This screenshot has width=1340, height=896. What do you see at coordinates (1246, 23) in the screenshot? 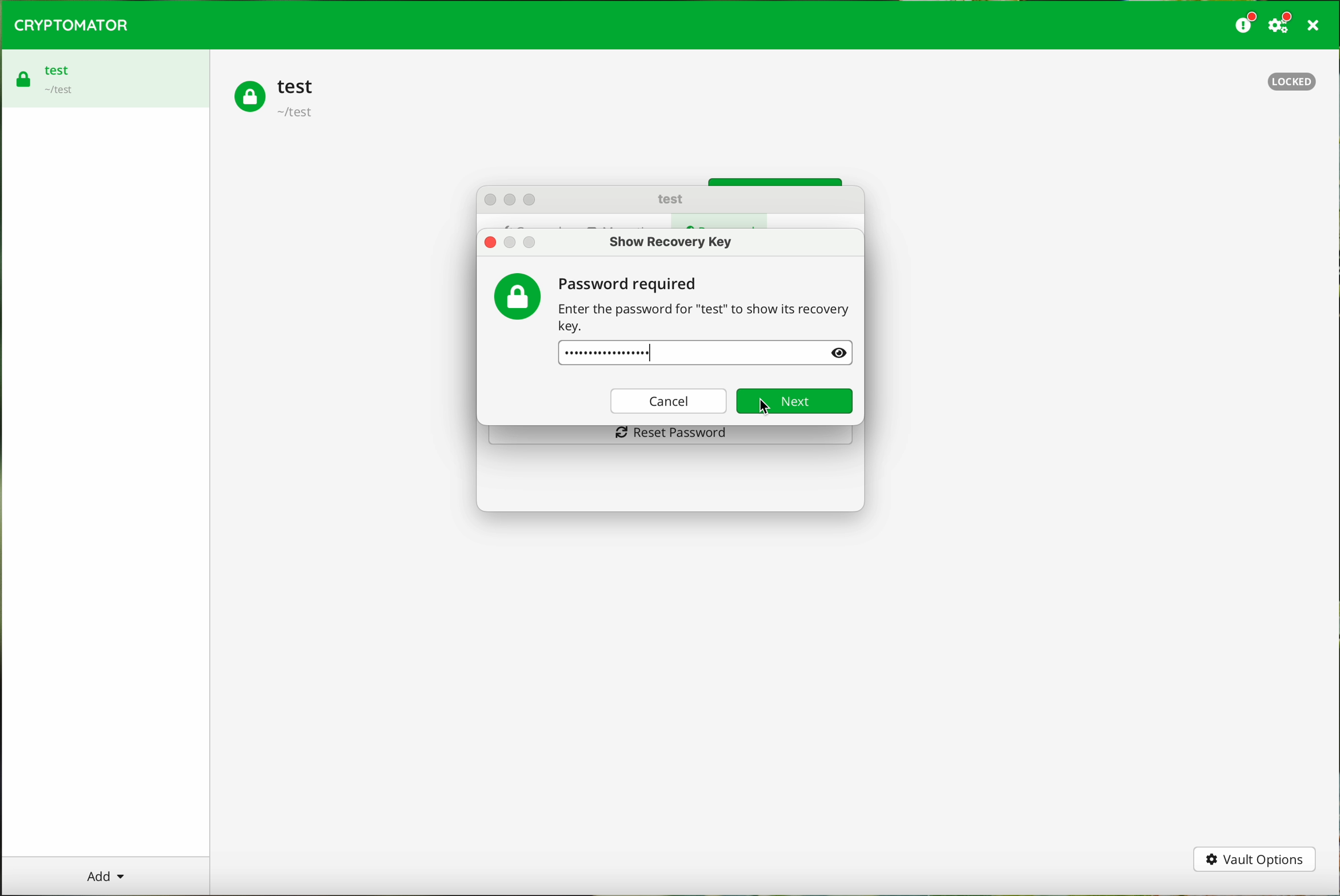
I see `donate` at bounding box center [1246, 23].